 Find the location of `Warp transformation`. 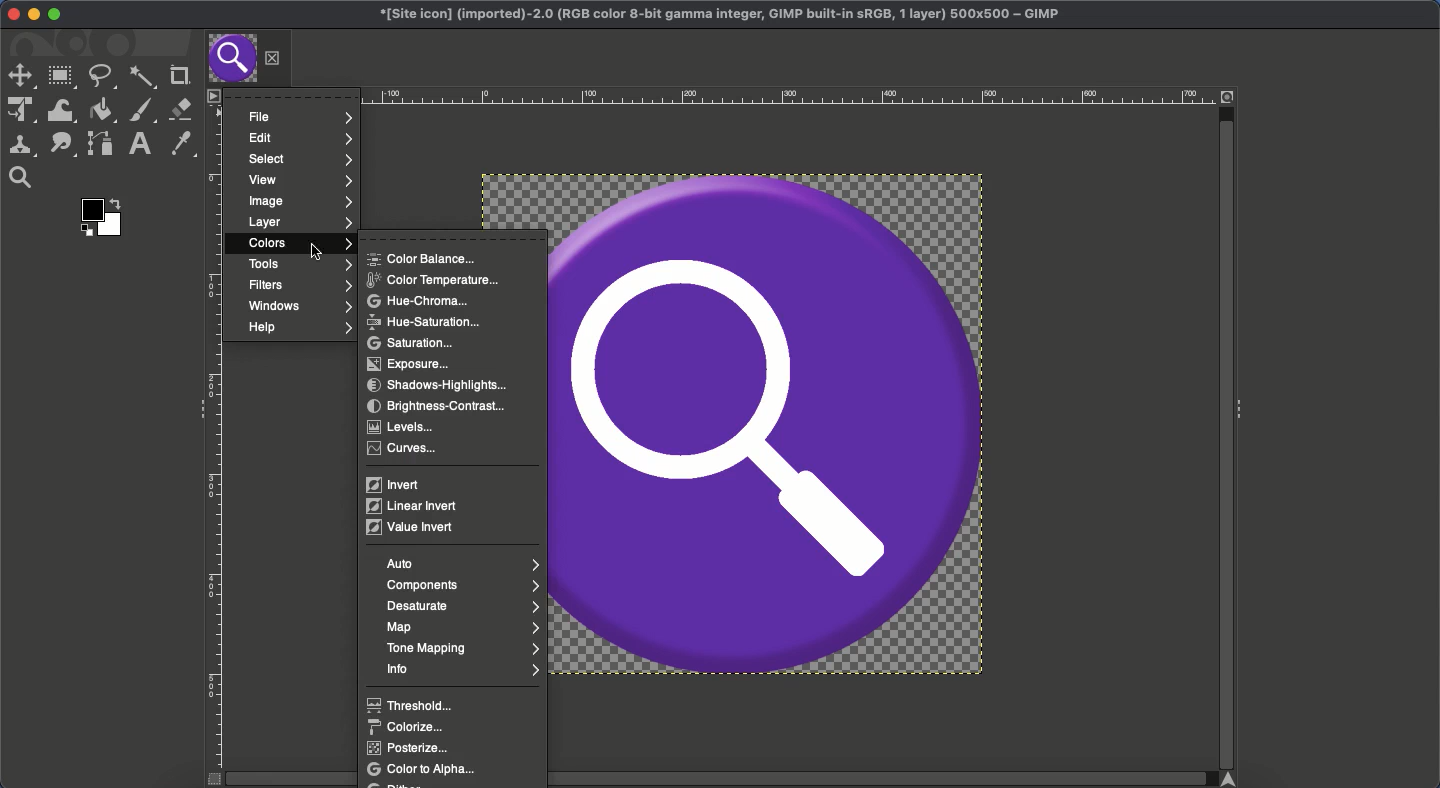

Warp transformation is located at coordinates (59, 110).